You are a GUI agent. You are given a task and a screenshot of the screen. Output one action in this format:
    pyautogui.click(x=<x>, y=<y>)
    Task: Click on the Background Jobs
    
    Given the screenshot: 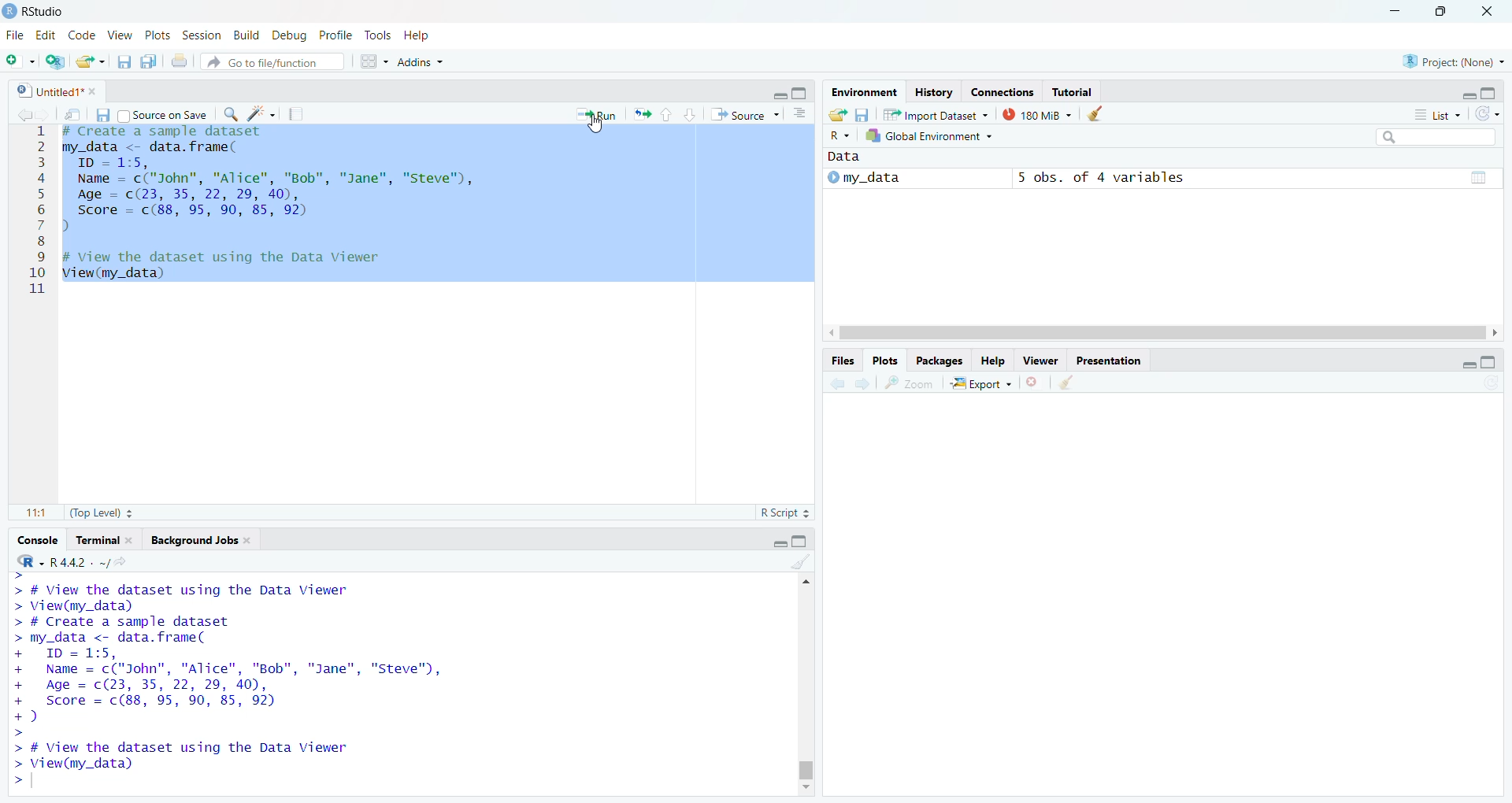 What is the action you would take?
    pyautogui.click(x=204, y=542)
    